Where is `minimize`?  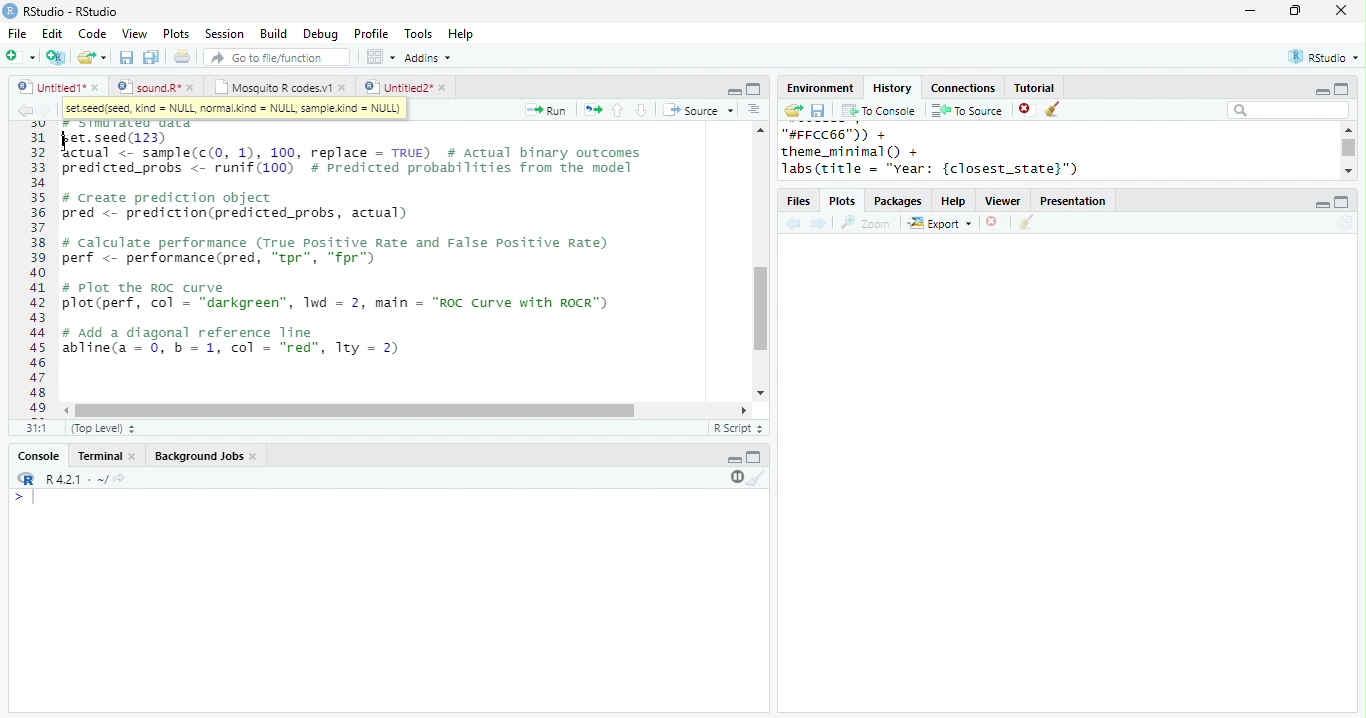 minimize is located at coordinates (1321, 92).